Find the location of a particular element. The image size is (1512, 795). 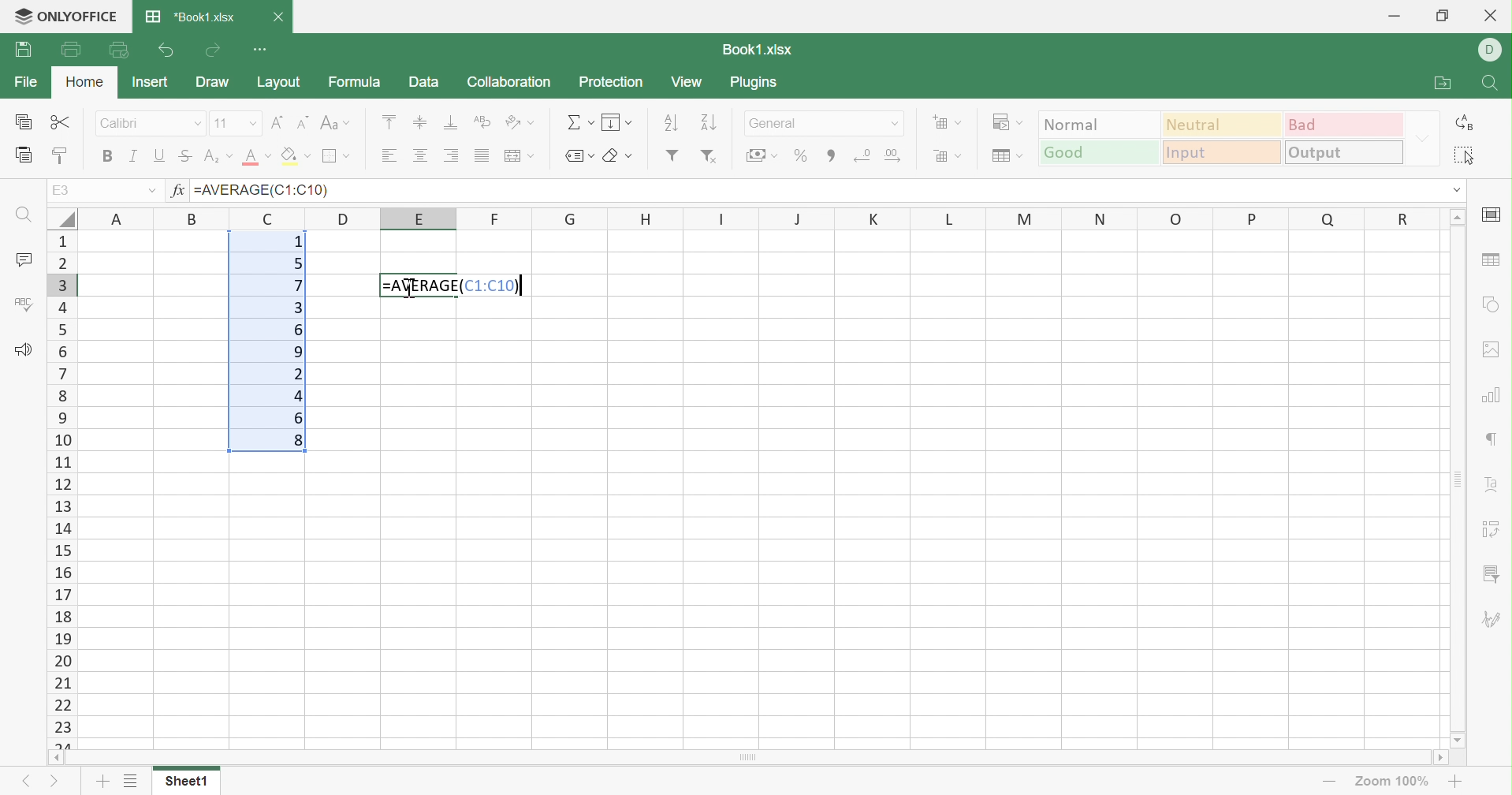

Decrease decimals is located at coordinates (864, 154).